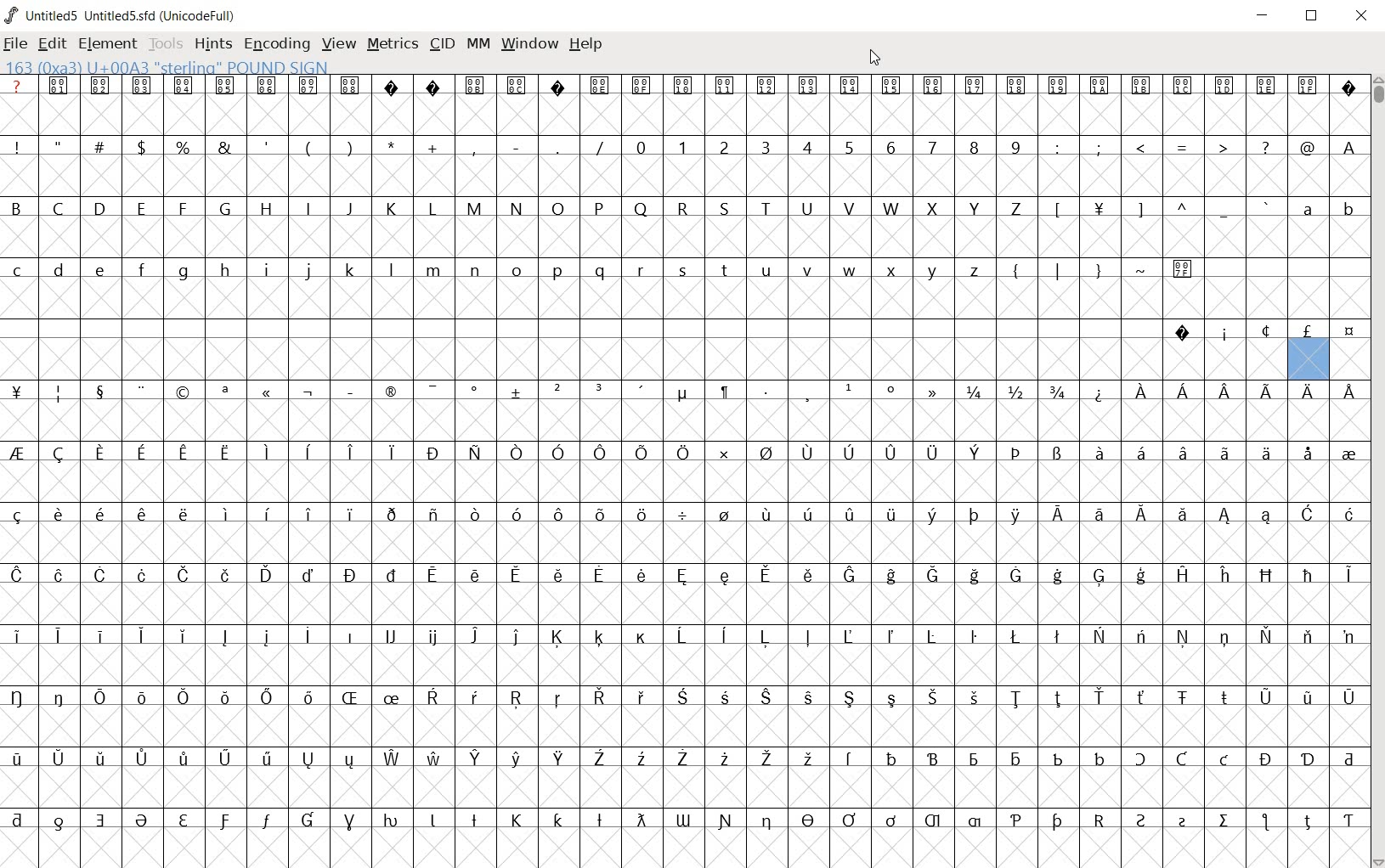 This screenshot has width=1385, height=868. What do you see at coordinates (213, 45) in the screenshot?
I see `HINTS` at bounding box center [213, 45].